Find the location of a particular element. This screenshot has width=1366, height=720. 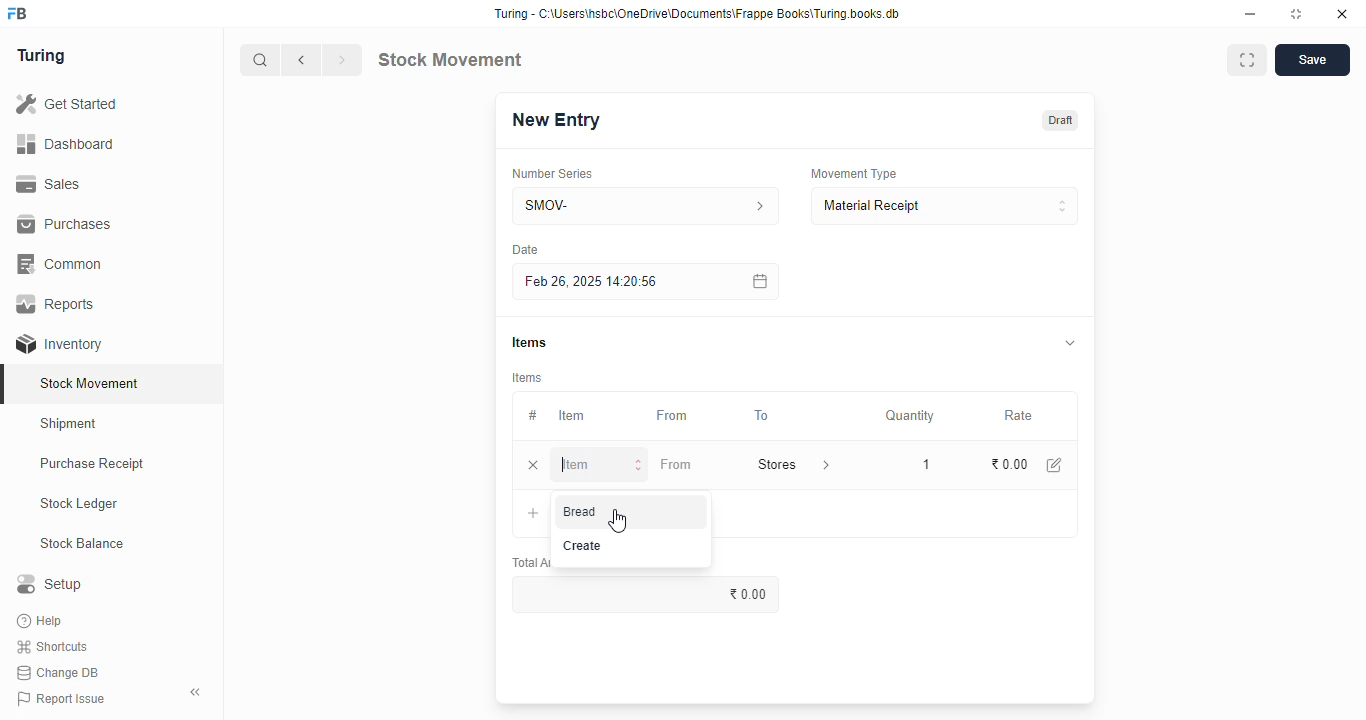

add is located at coordinates (534, 514).